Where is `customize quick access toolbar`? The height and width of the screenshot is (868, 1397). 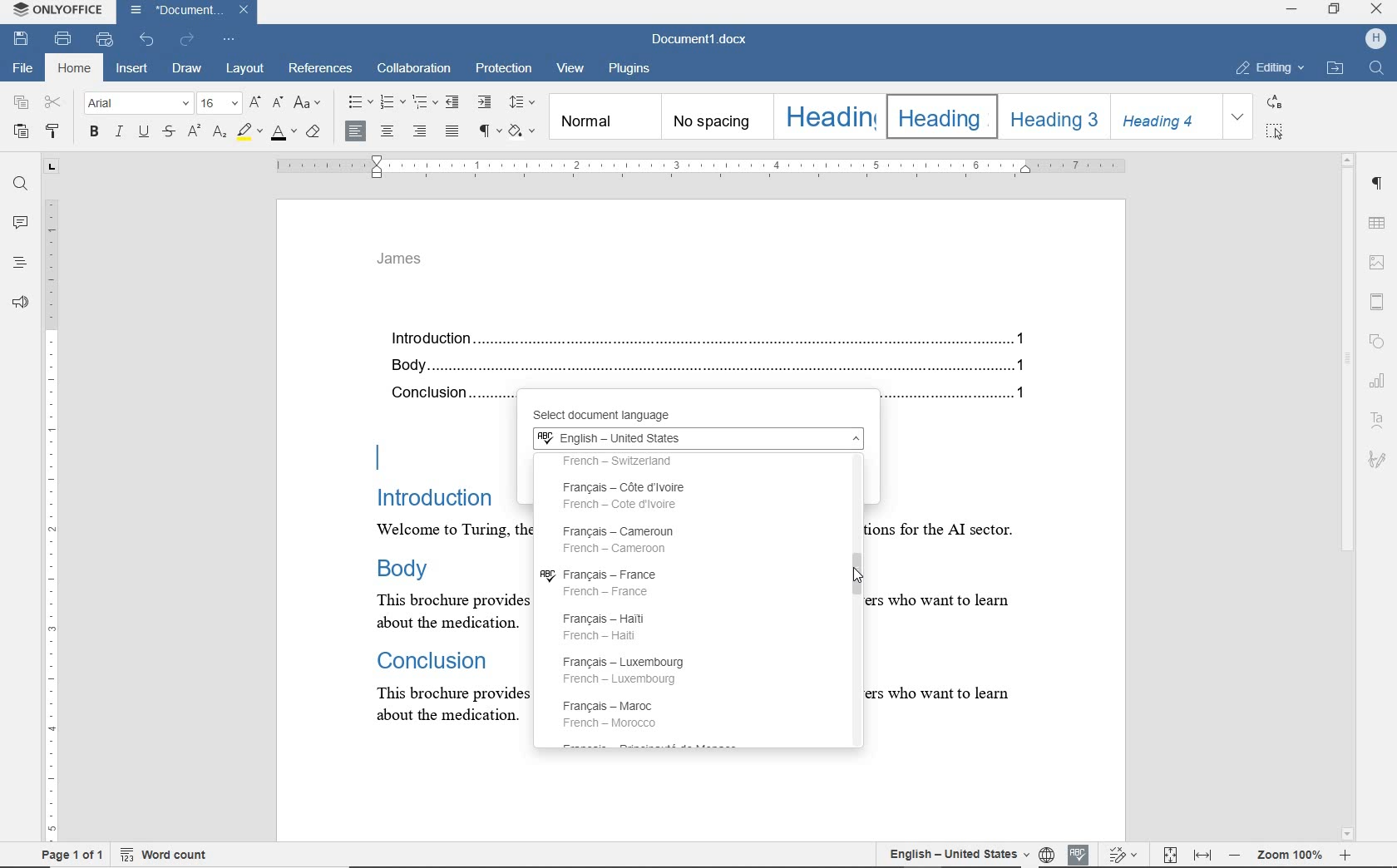 customize quick access toolbar is located at coordinates (229, 38).